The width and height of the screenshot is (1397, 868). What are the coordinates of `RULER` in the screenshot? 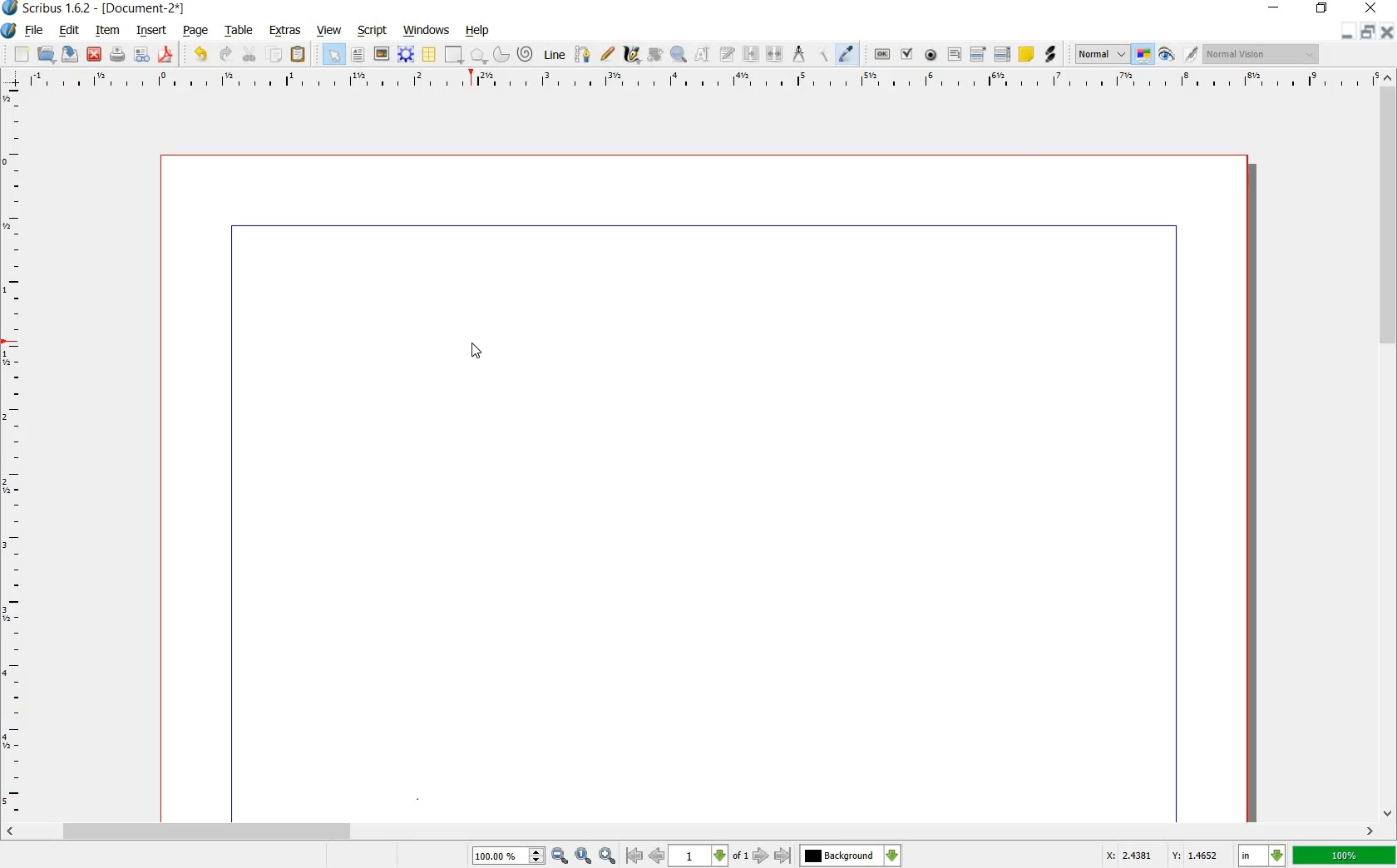 It's located at (700, 81).